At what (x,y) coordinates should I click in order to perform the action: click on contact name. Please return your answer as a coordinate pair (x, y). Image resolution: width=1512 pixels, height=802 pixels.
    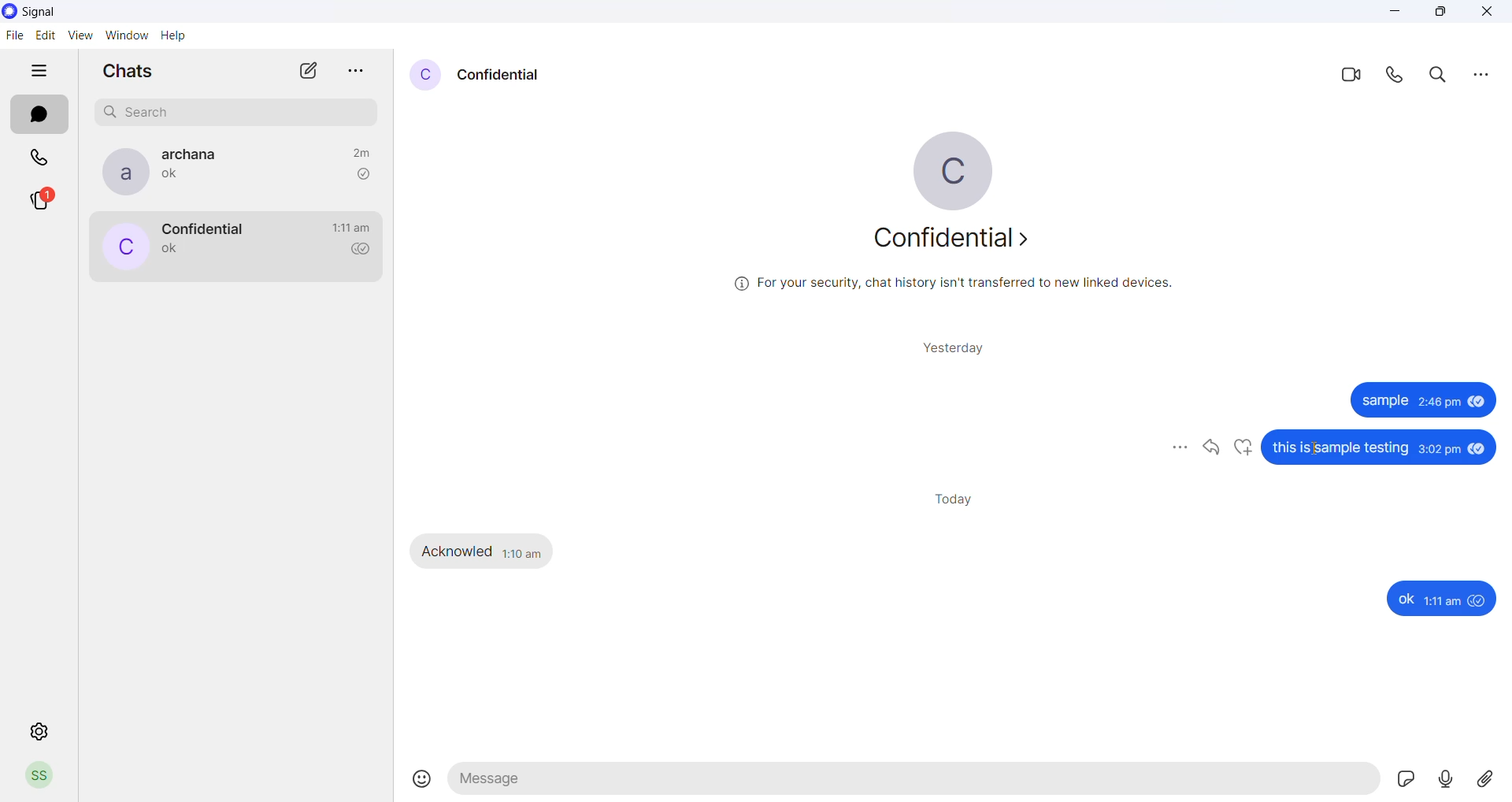
    Looking at the image, I should click on (196, 154).